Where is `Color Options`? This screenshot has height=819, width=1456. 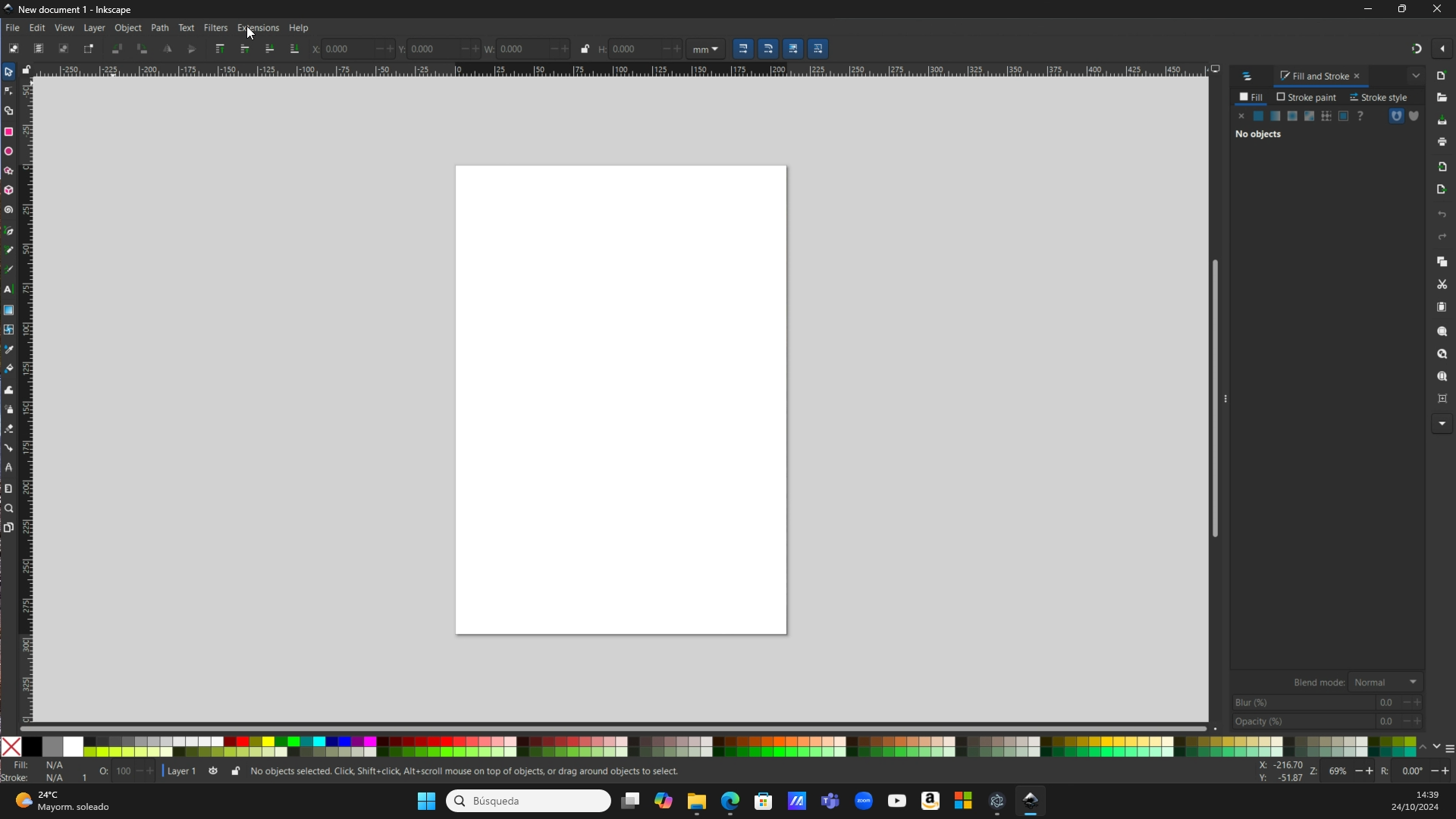 Color Options is located at coordinates (1327, 701).